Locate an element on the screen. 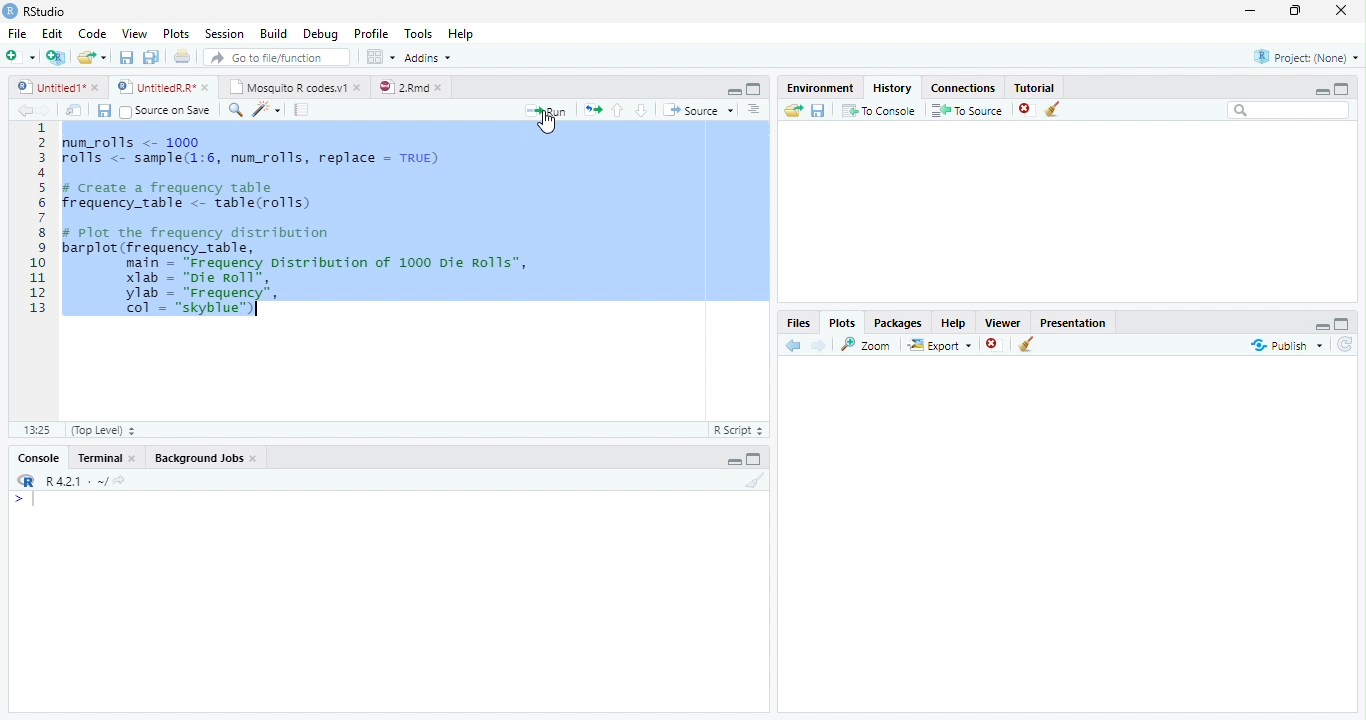  Code is located at coordinates (94, 31).